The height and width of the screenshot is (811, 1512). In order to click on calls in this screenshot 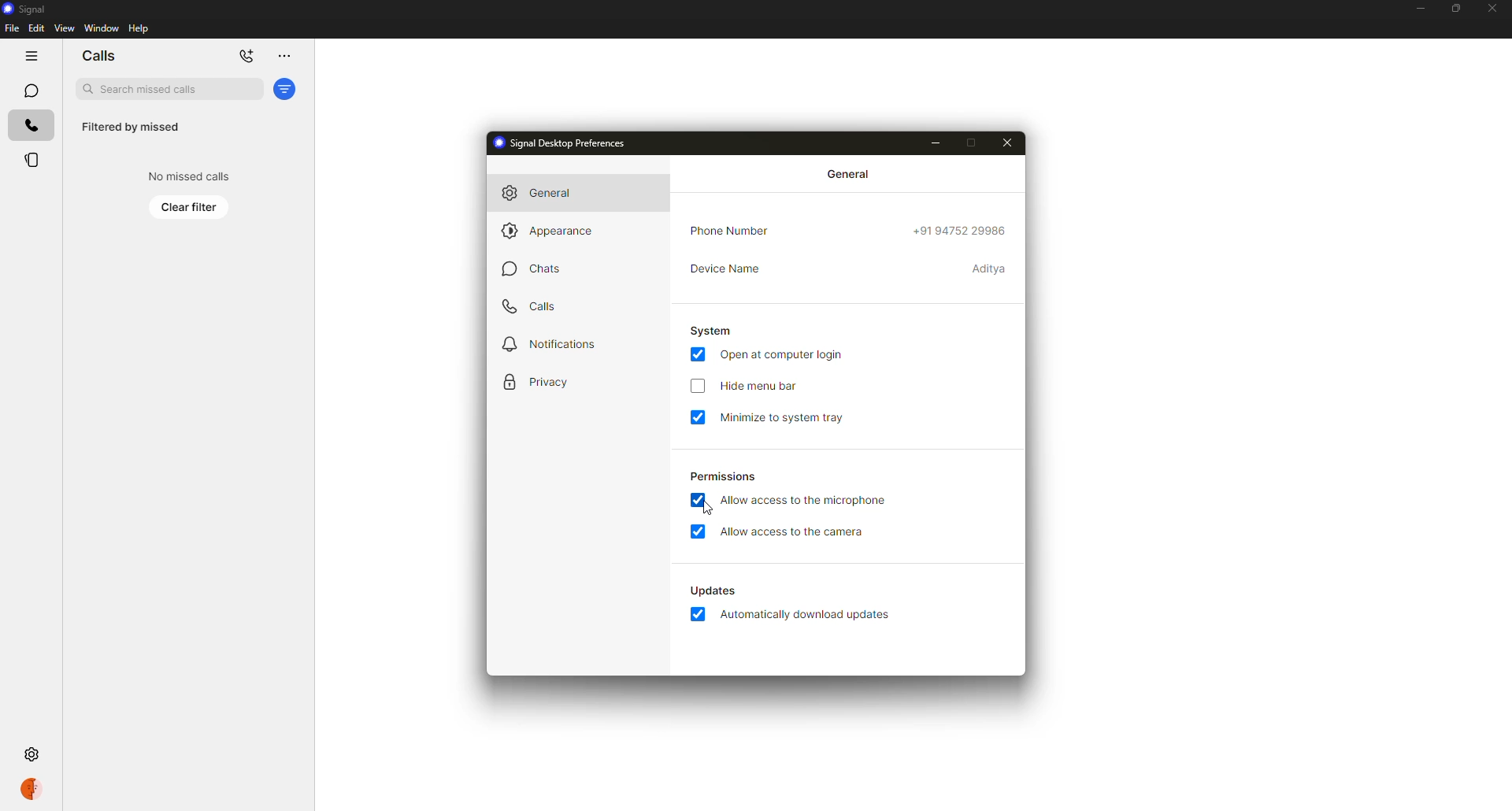, I will do `click(98, 56)`.